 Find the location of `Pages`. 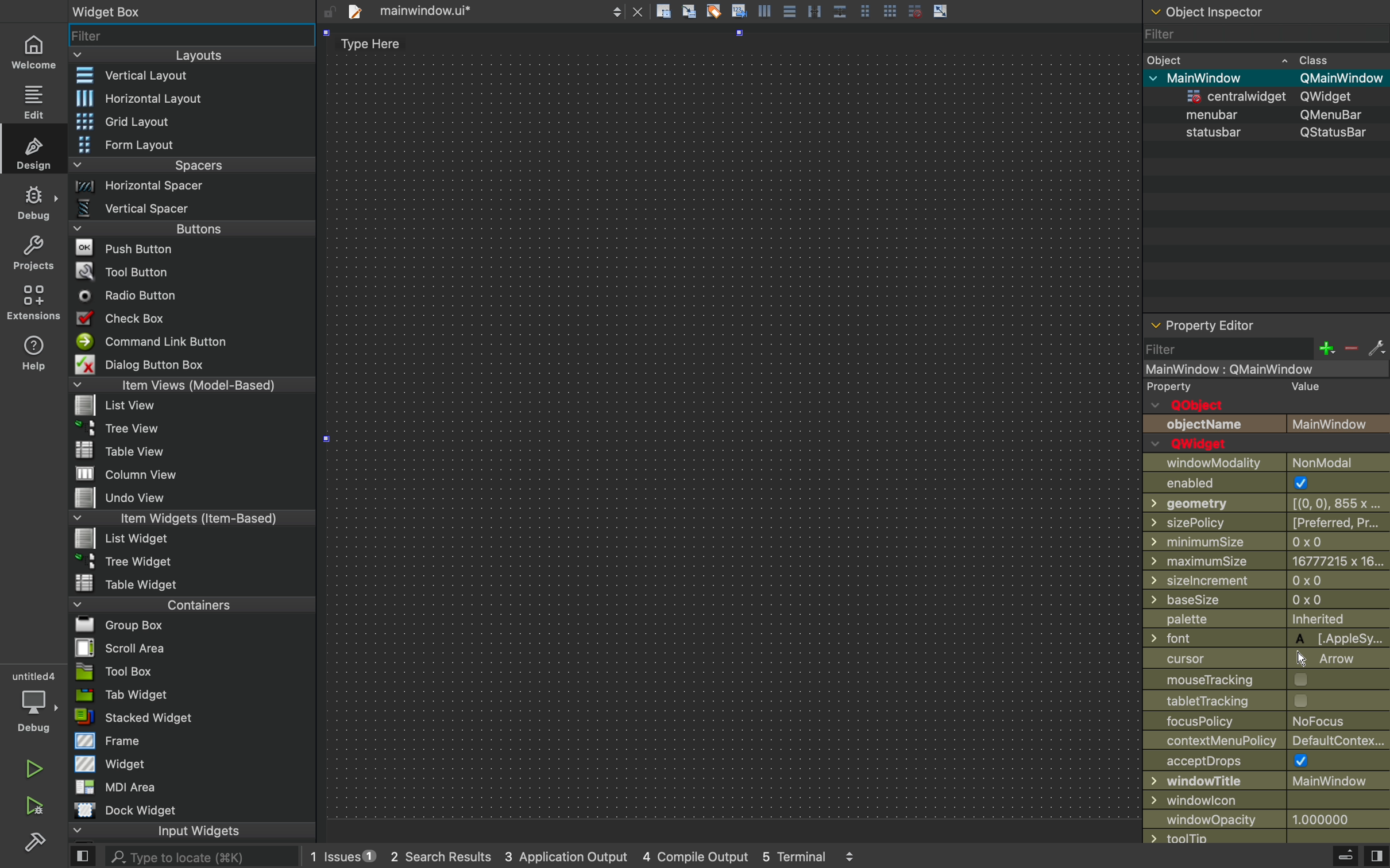

Pages is located at coordinates (791, 13).